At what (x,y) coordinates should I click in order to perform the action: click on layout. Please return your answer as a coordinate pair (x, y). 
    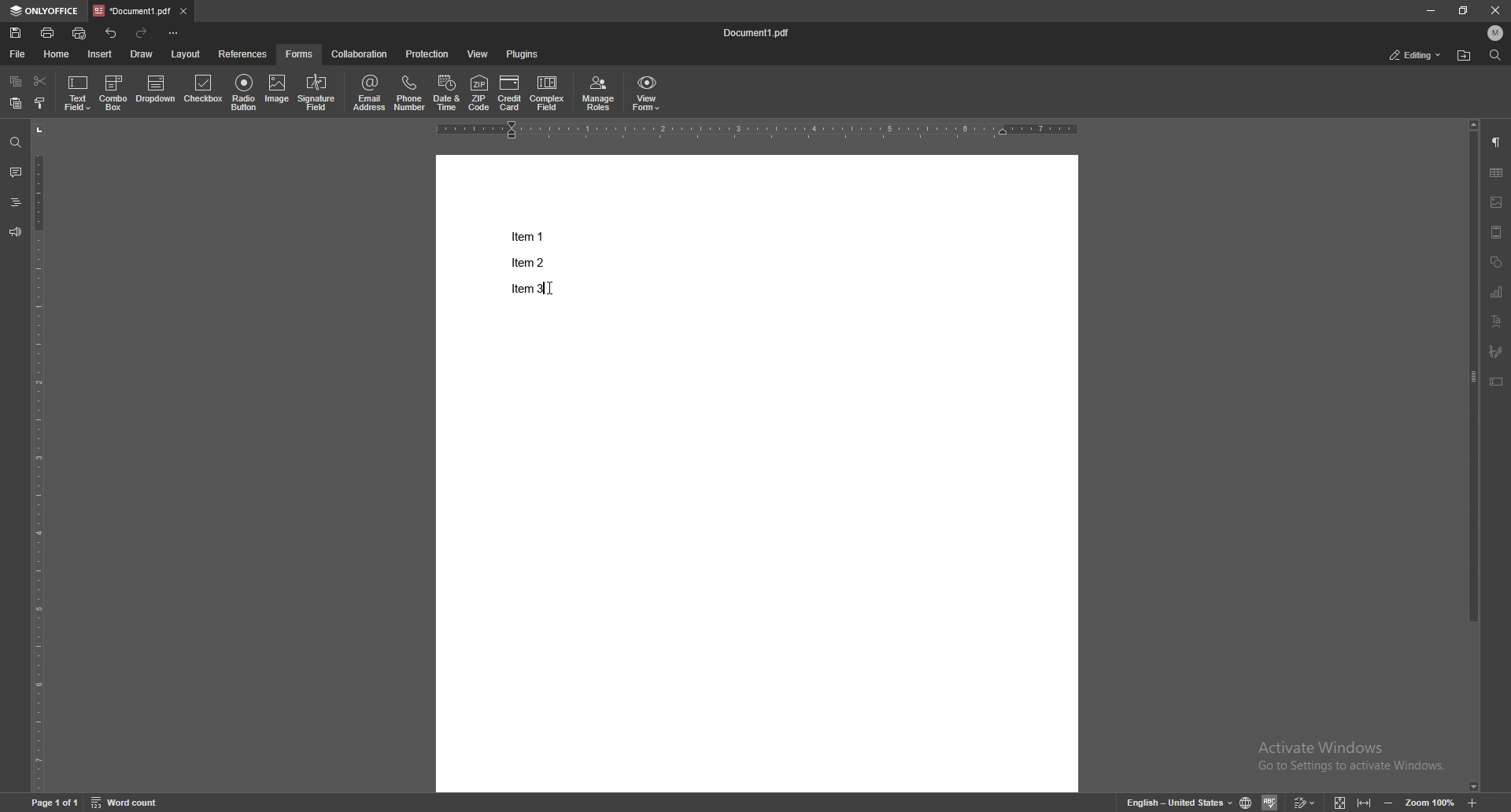
    Looking at the image, I should click on (186, 54).